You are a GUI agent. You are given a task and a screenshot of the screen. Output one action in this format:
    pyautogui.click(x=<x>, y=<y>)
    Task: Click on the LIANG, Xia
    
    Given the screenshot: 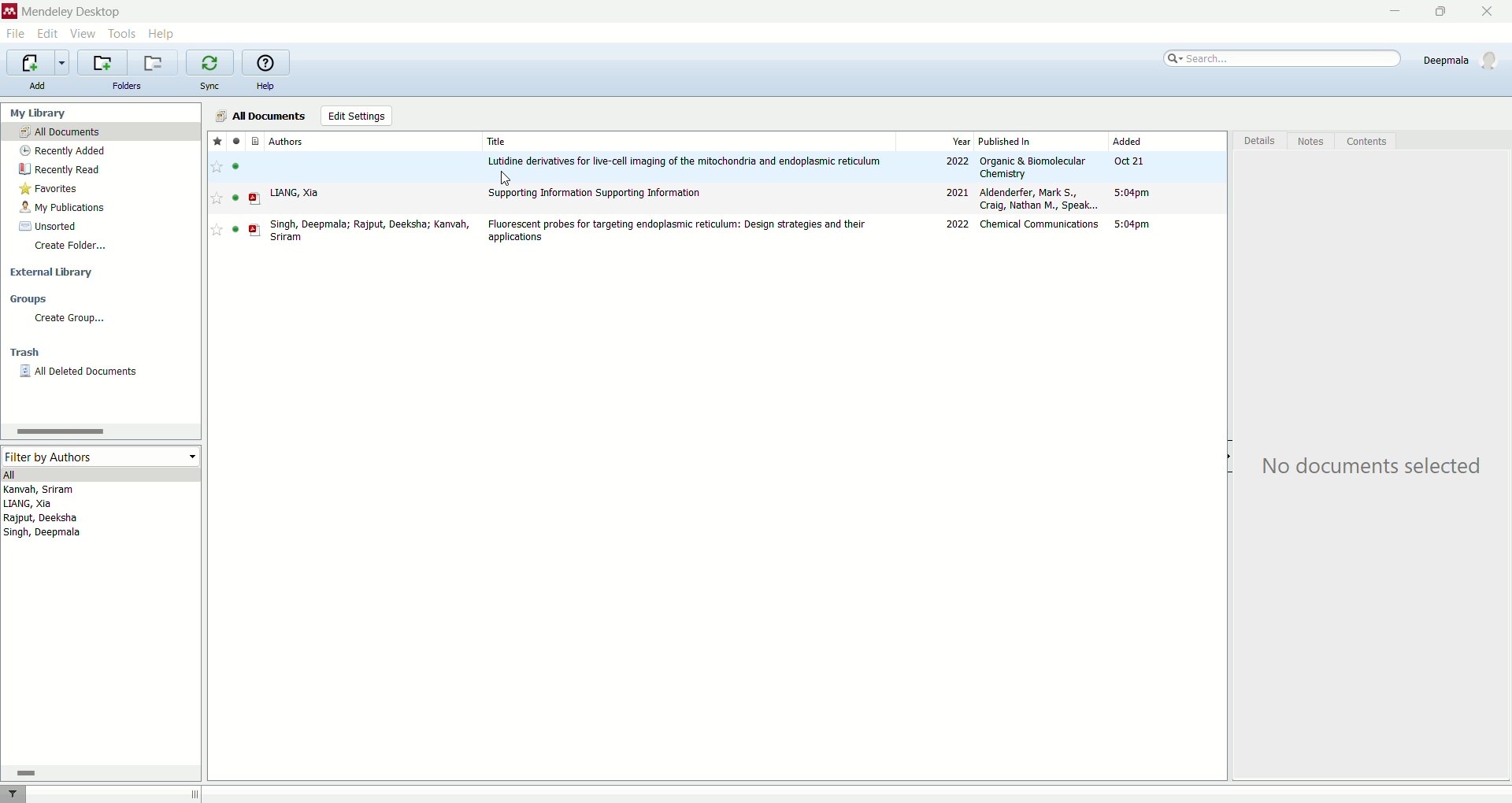 What is the action you would take?
    pyautogui.click(x=30, y=505)
    